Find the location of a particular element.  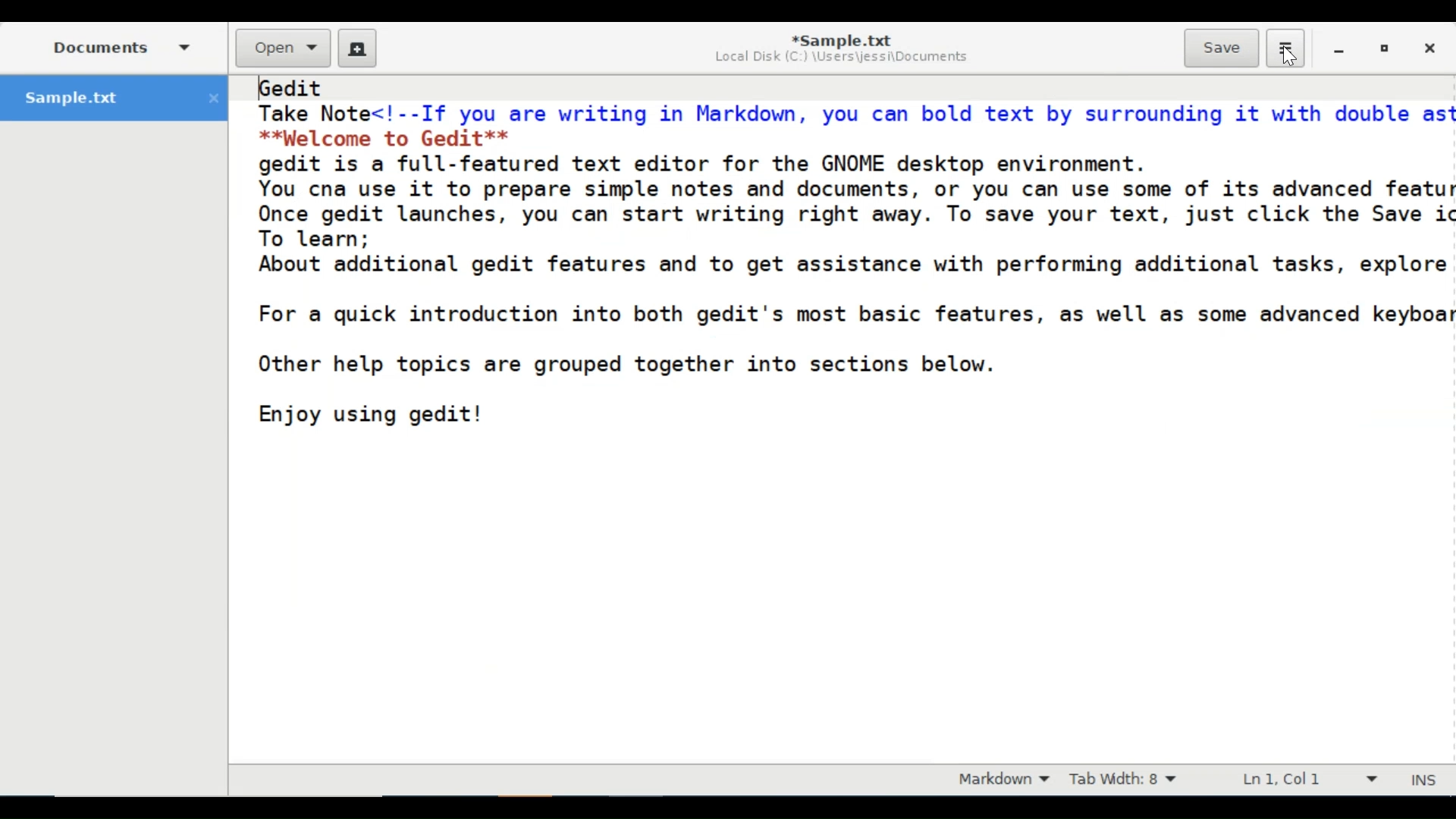

Close is located at coordinates (1430, 45).